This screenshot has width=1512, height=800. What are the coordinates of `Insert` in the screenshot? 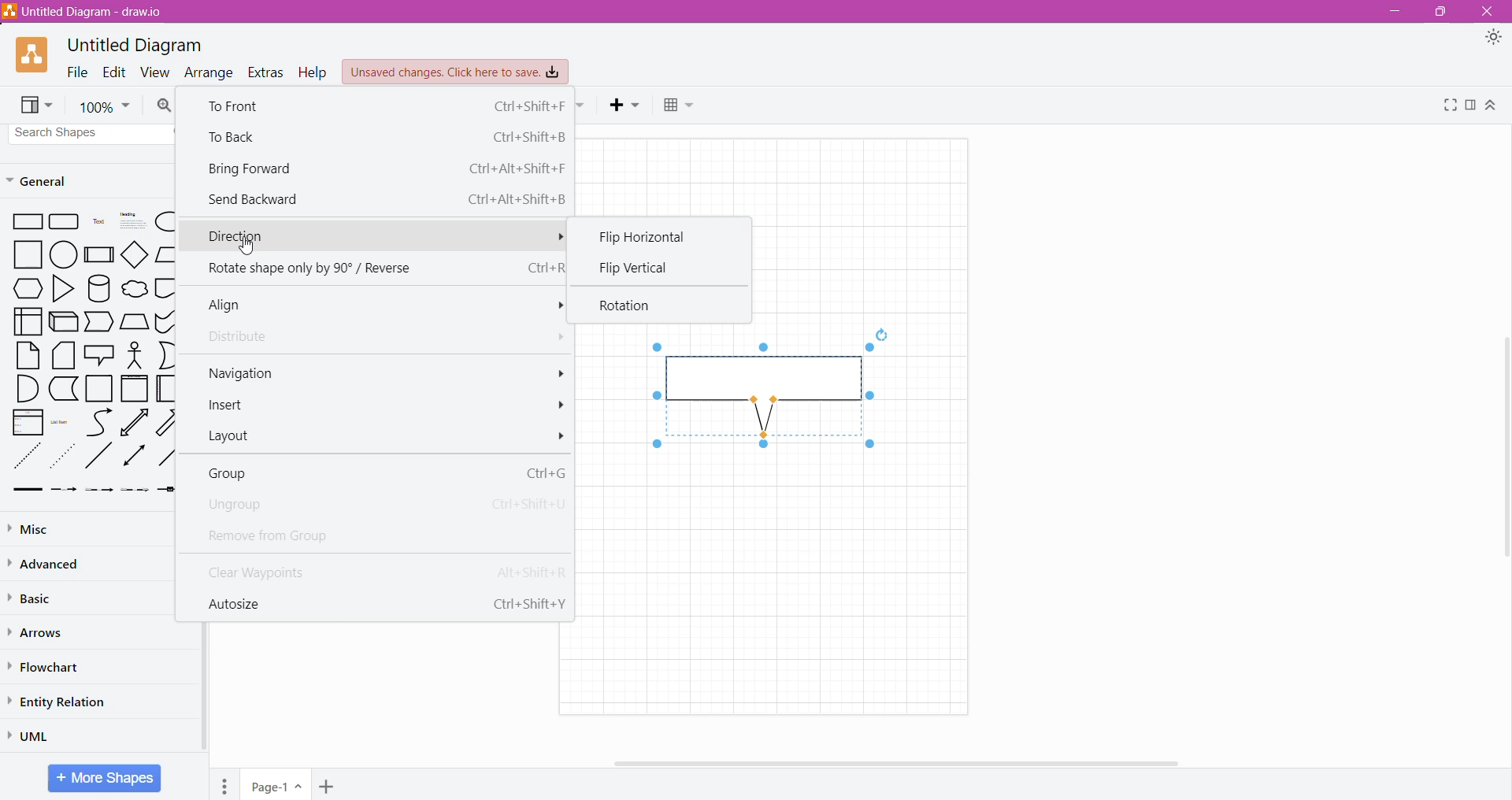 It's located at (626, 106).